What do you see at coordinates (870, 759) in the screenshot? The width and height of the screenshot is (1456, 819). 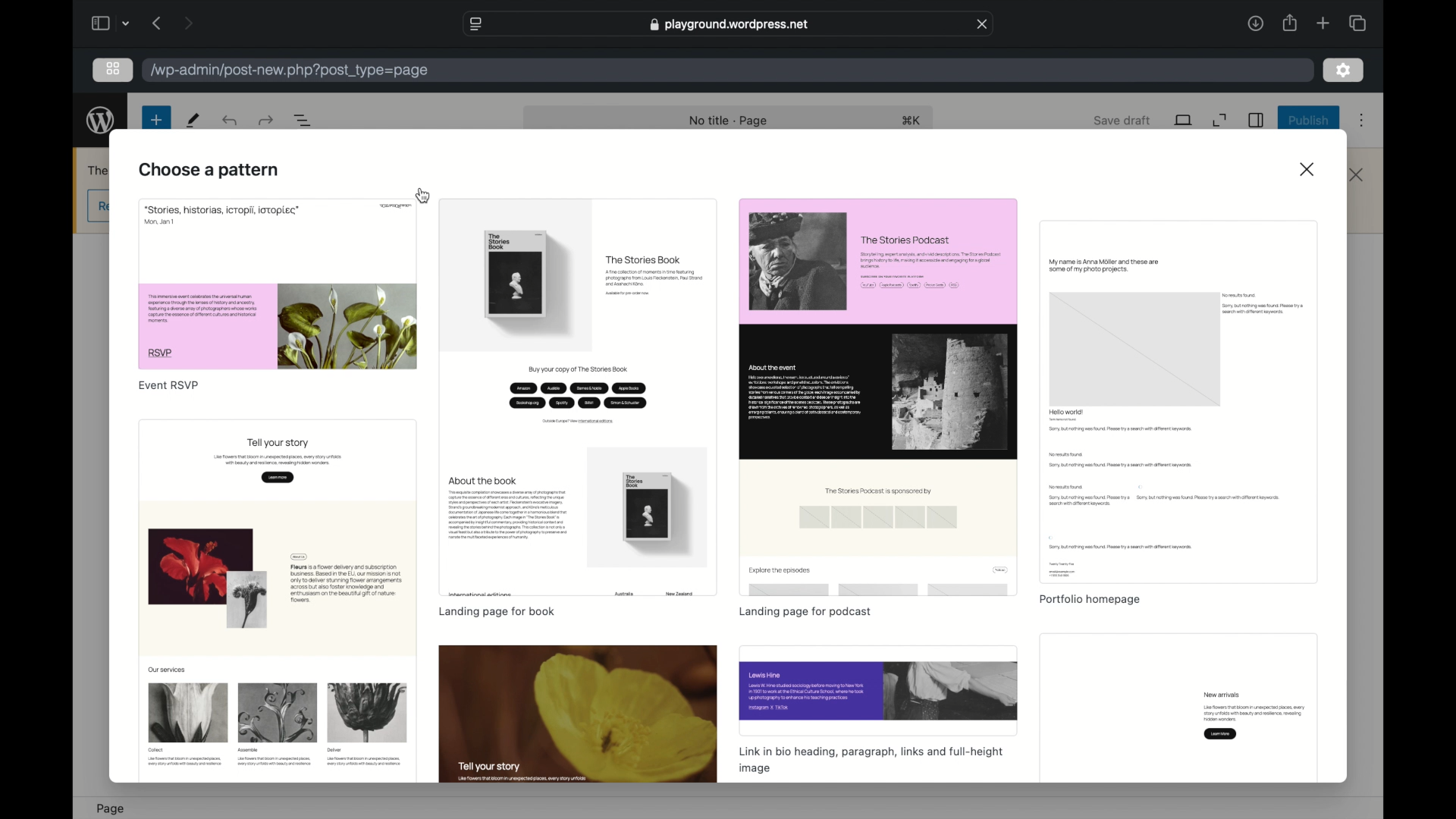 I see `link in bio heading, paragraph, links and full height image` at bounding box center [870, 759].